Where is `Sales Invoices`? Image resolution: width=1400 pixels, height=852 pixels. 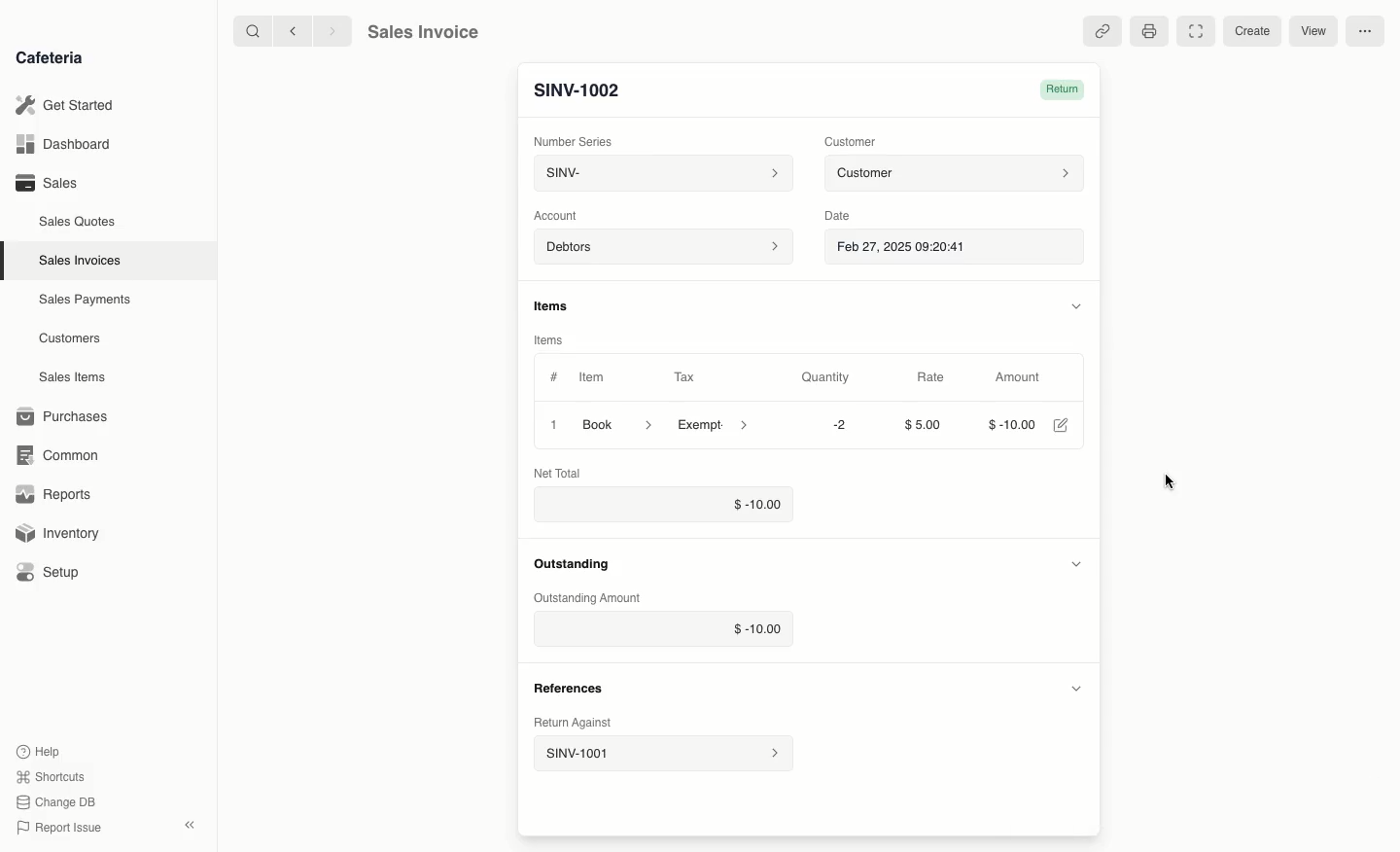
Sales Invoices is located at coordinates (80, 262).